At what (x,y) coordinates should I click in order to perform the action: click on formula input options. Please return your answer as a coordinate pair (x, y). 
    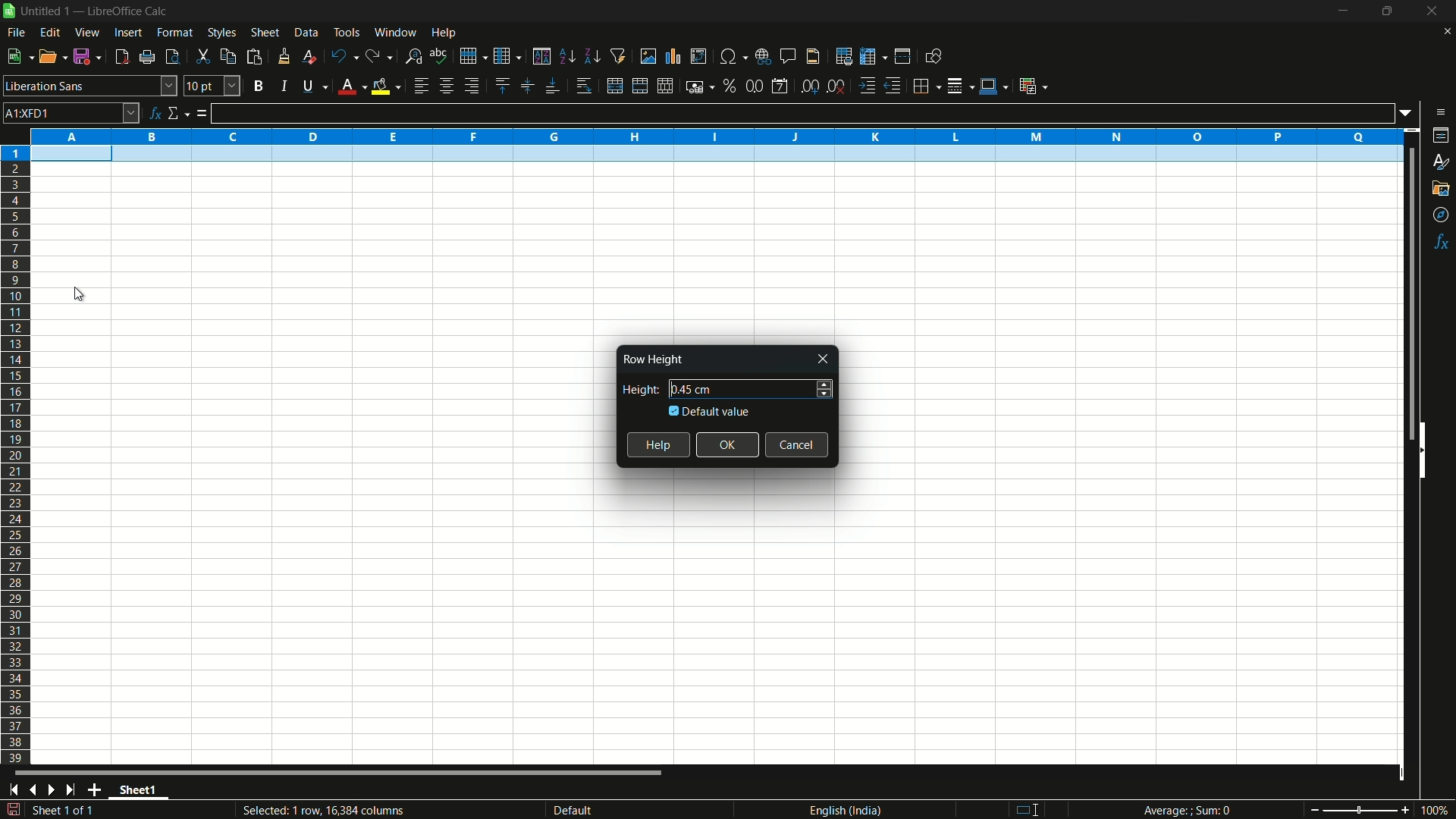
    Looking at the image, I should click on (1410, 112).